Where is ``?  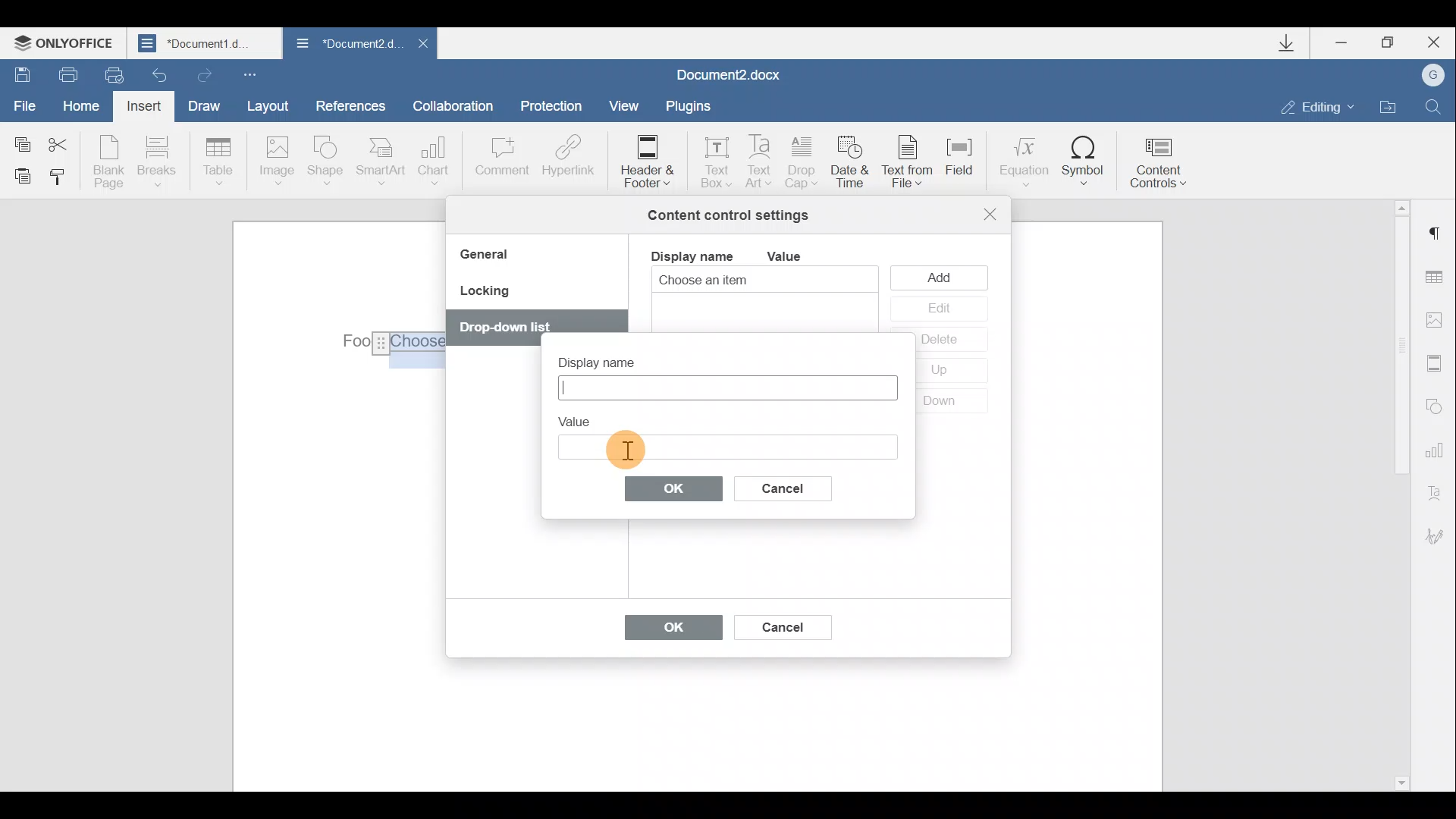
 is located at coordinates (626, 449).